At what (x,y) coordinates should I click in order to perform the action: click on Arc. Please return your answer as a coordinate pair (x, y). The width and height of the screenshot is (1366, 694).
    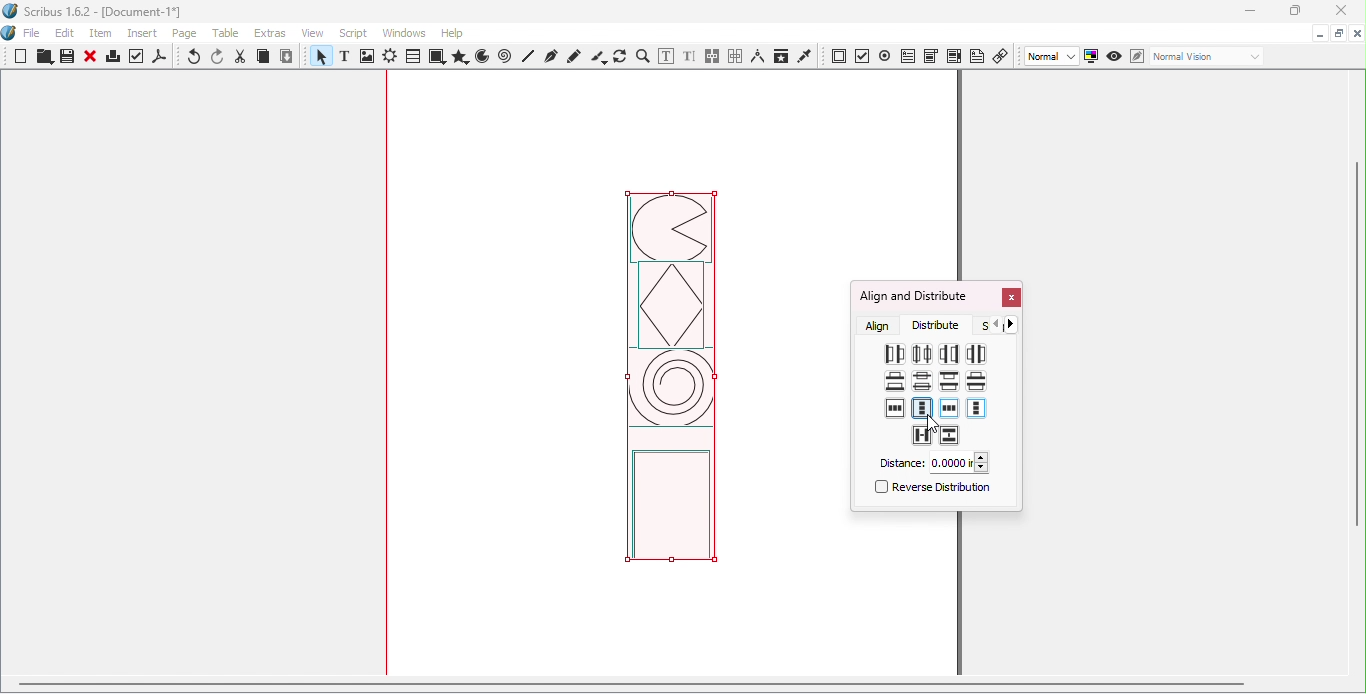
    Looking at the image, I should click on (482, 58).